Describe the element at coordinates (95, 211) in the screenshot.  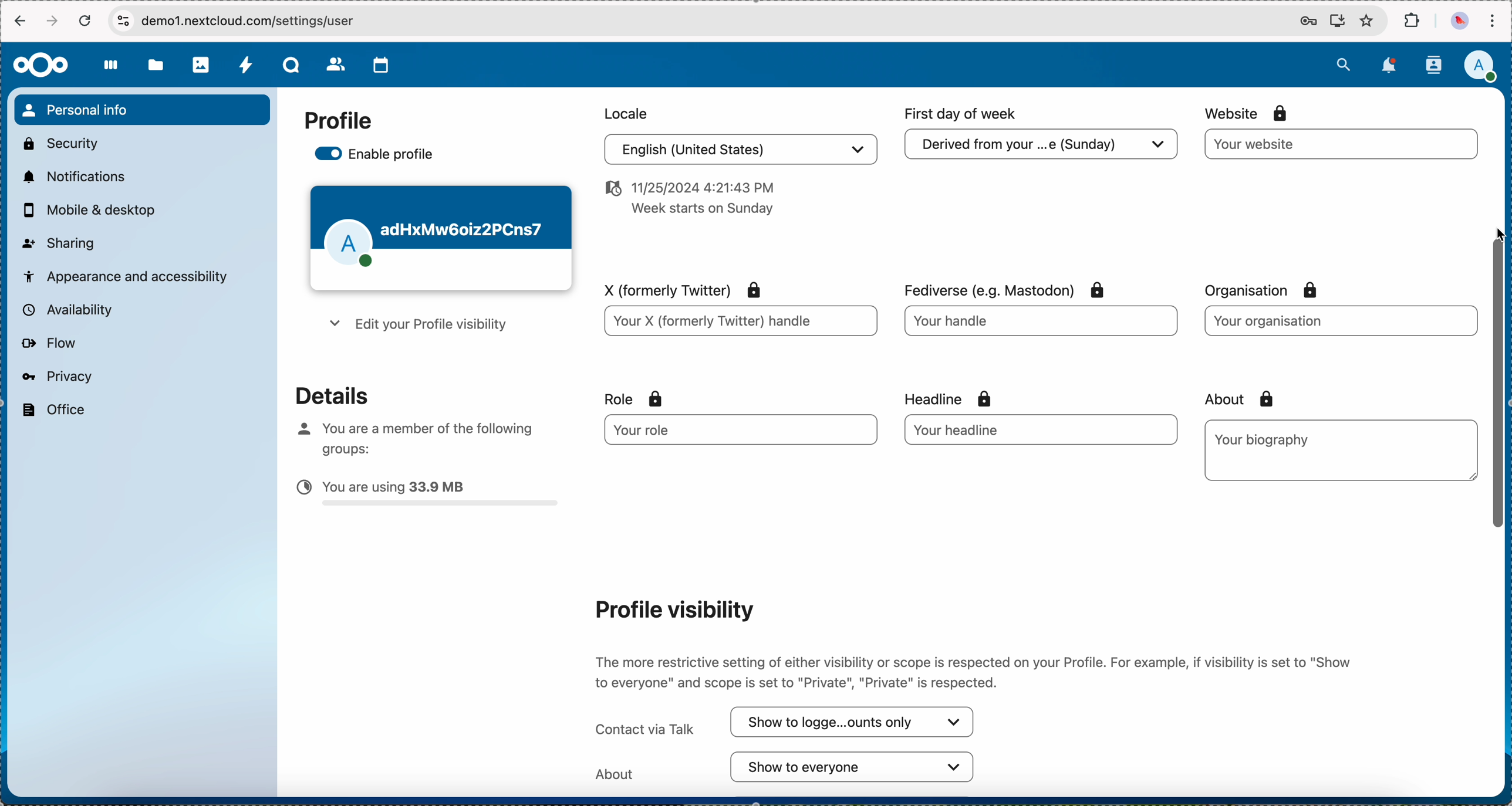
I see `mobile and desktop` at that location.